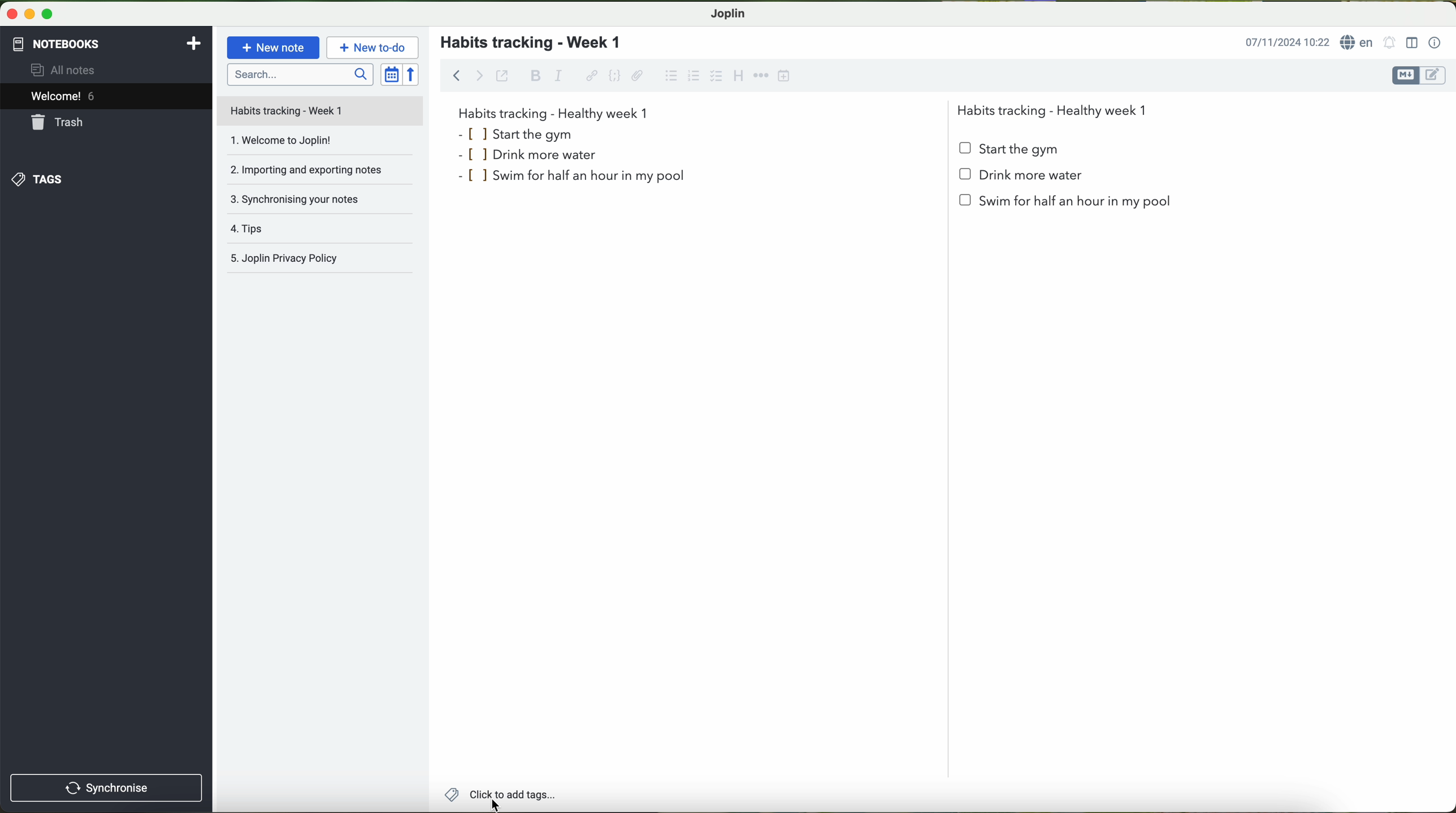 Image resolution: width=1456 pixels, height=813 pixels. I want to click on welcome to Joplin, so click(319, 145).